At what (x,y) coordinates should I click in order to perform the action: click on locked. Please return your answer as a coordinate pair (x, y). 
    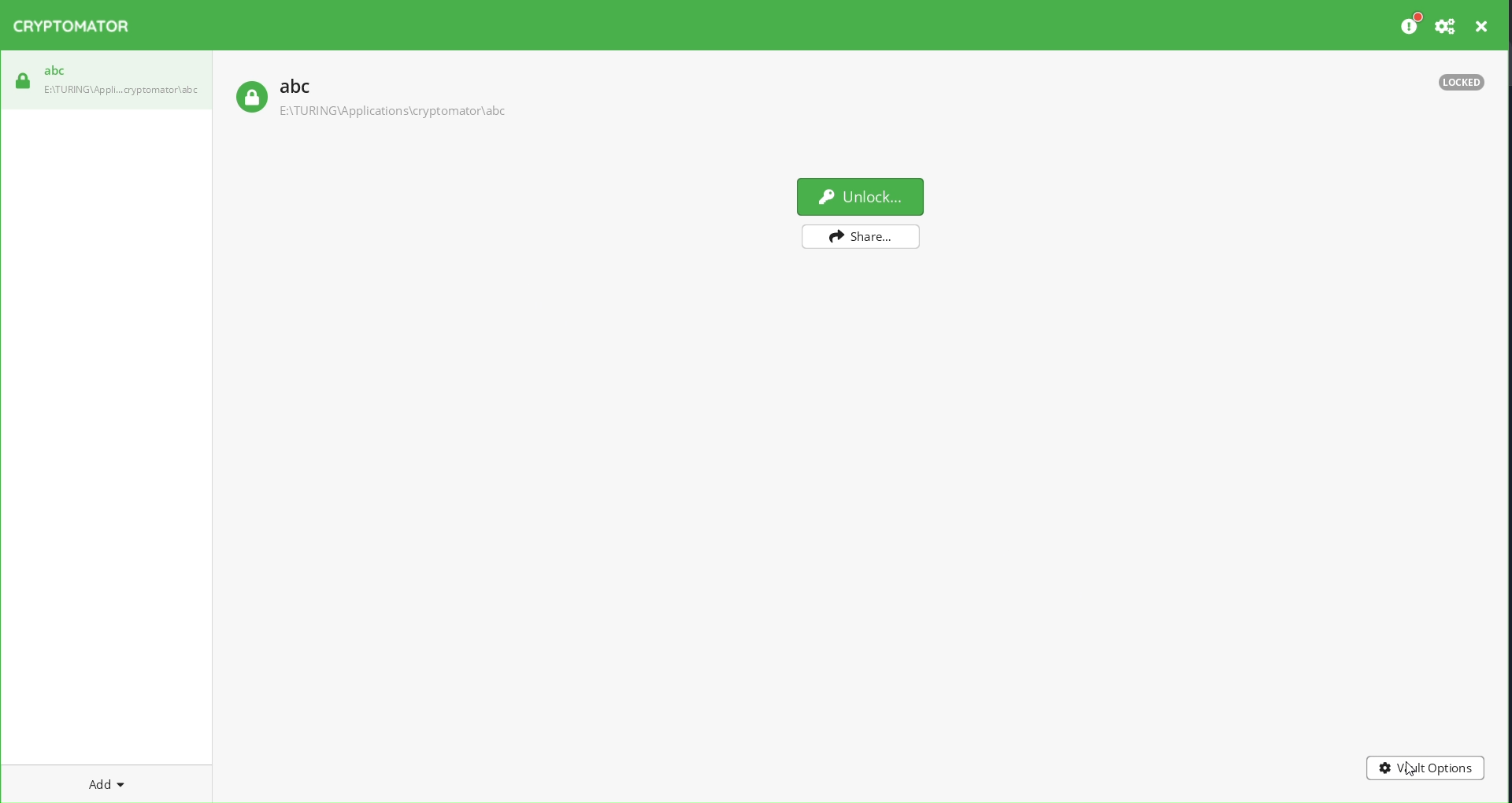
    Looking at the image, I should click on (21, 80).